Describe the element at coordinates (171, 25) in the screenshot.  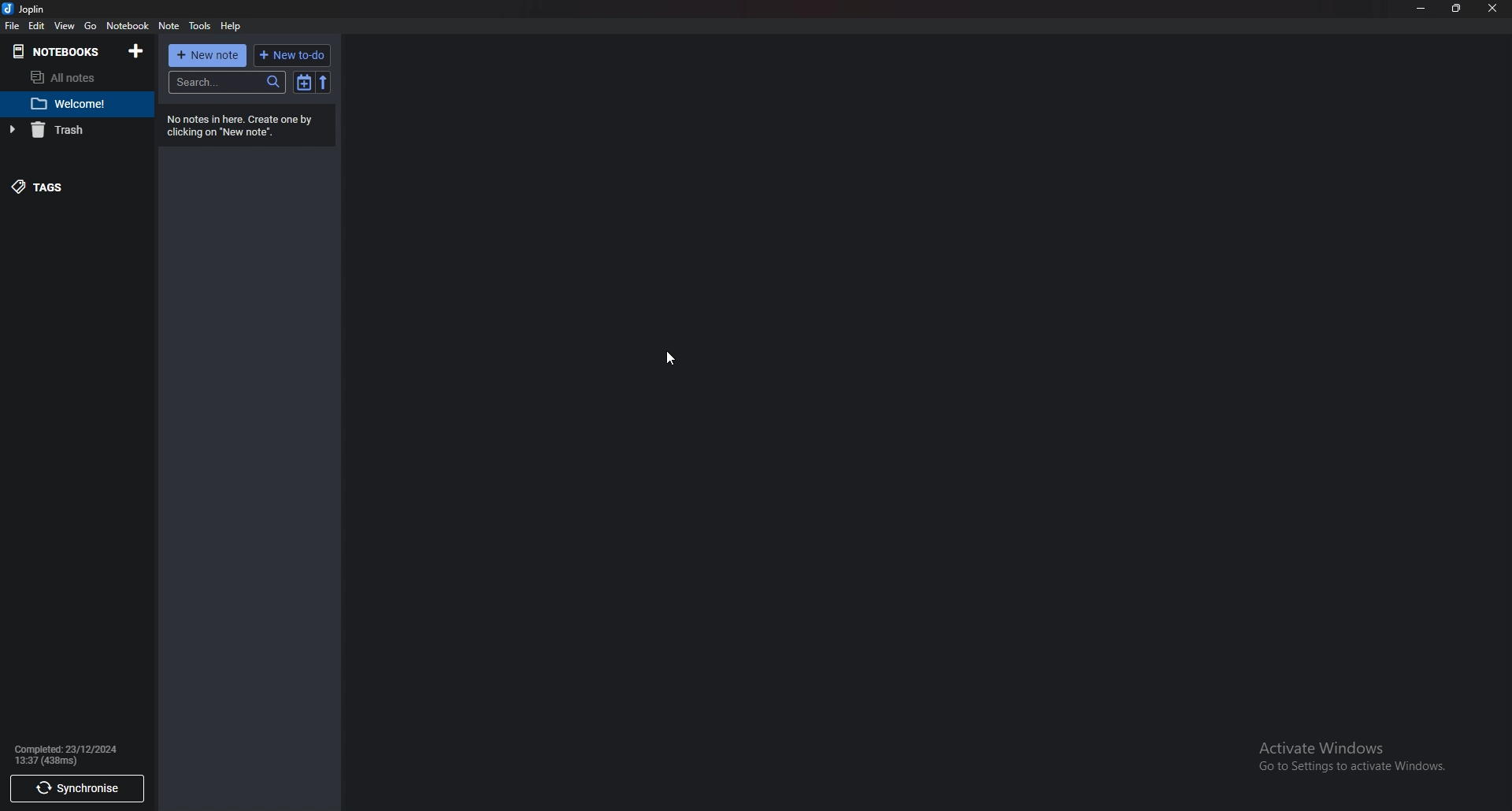
I see `Note` at that location.